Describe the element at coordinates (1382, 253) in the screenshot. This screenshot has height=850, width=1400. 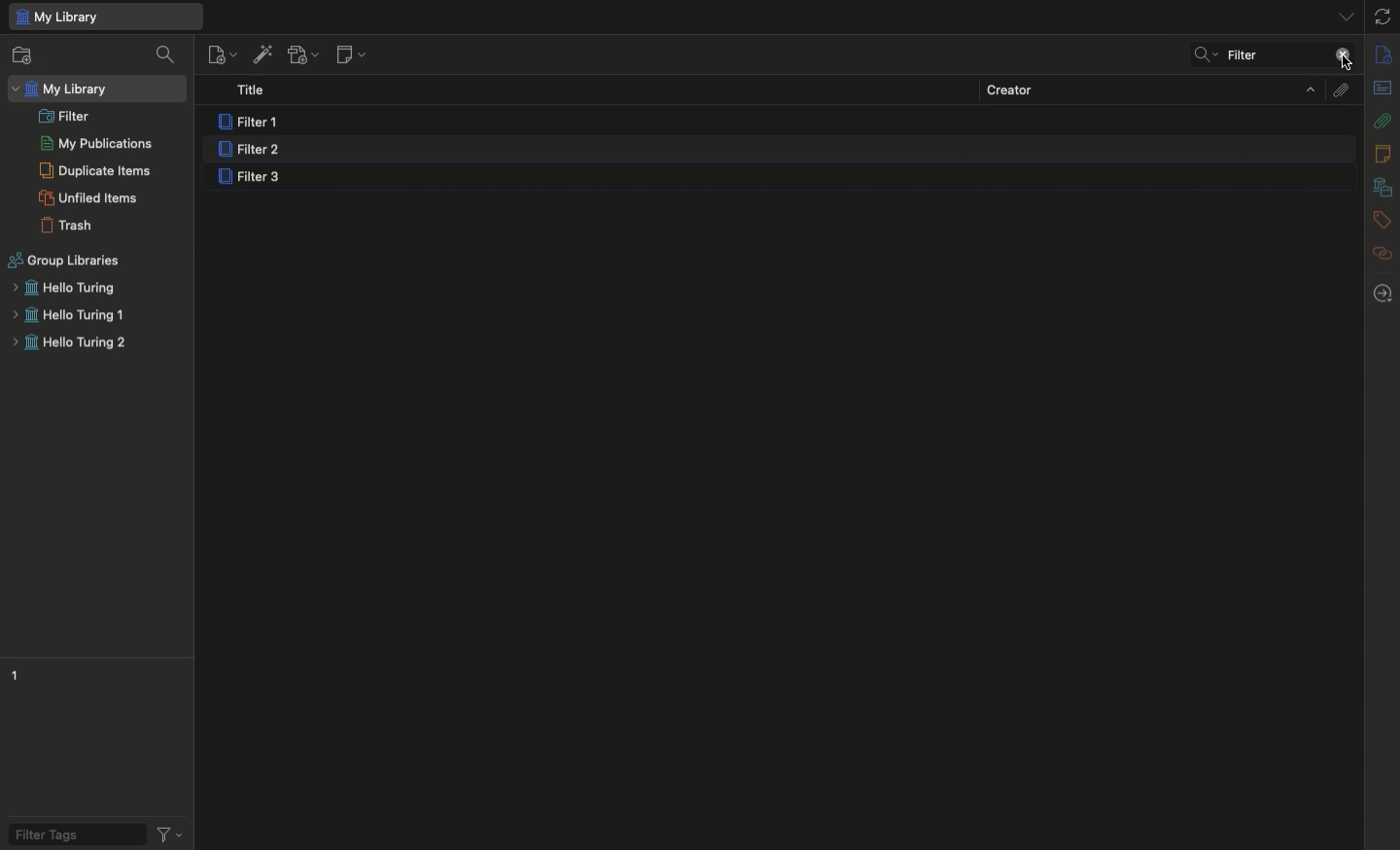
I see `Related` at that location.